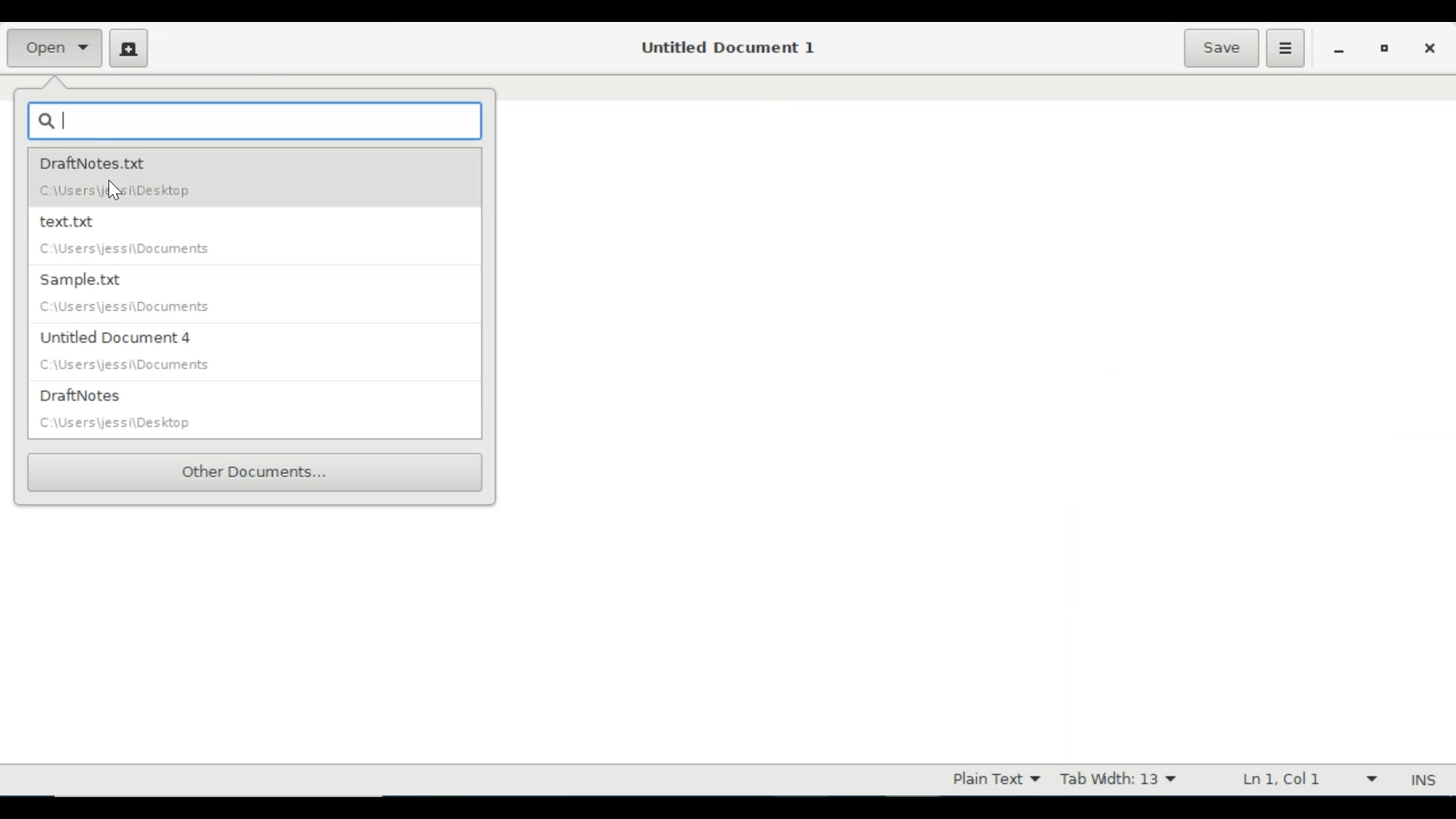  I want to click on Tab Width, so click(1118, 780).